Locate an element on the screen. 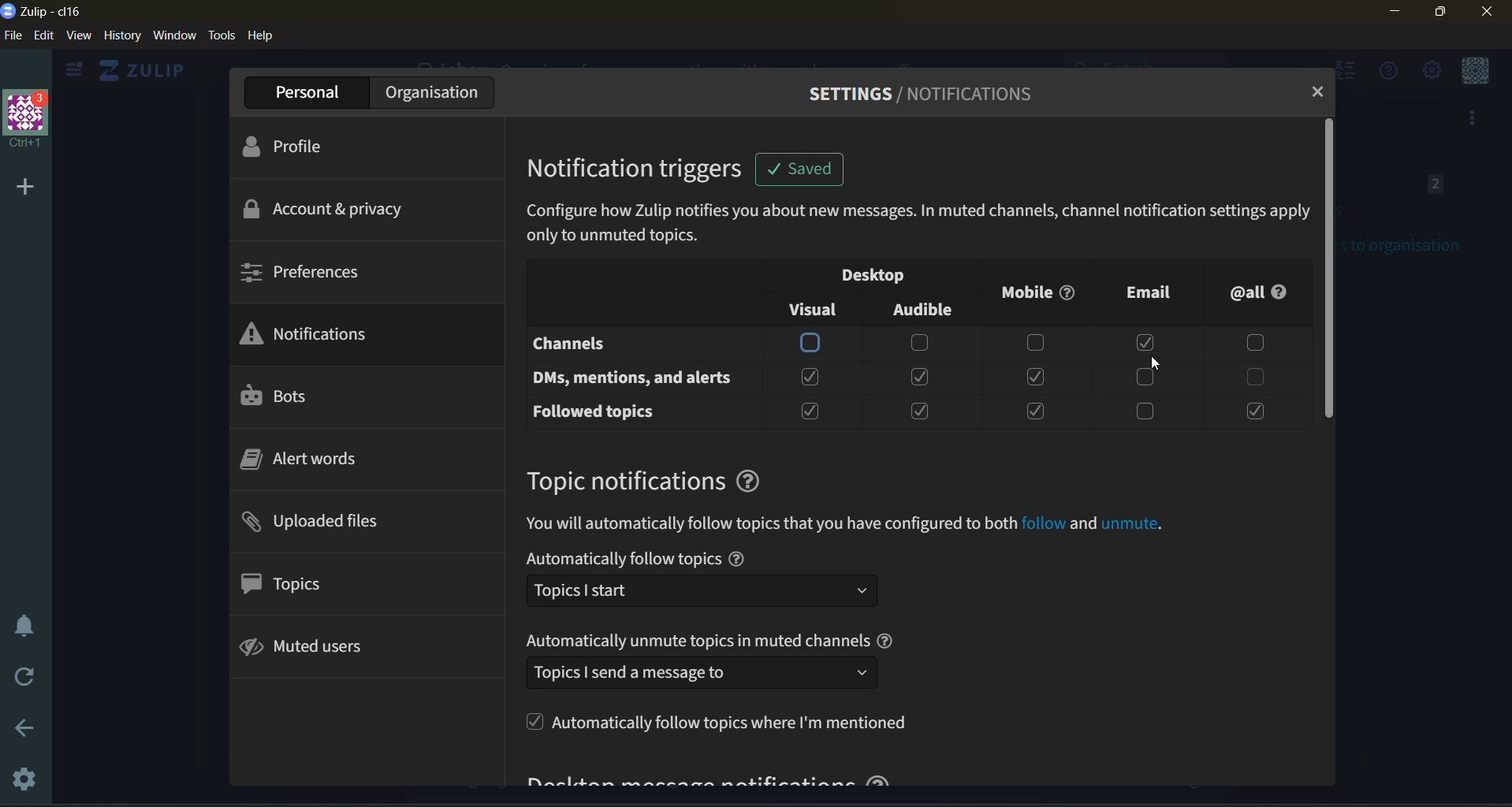  visual is located at coordinates (811, 310).